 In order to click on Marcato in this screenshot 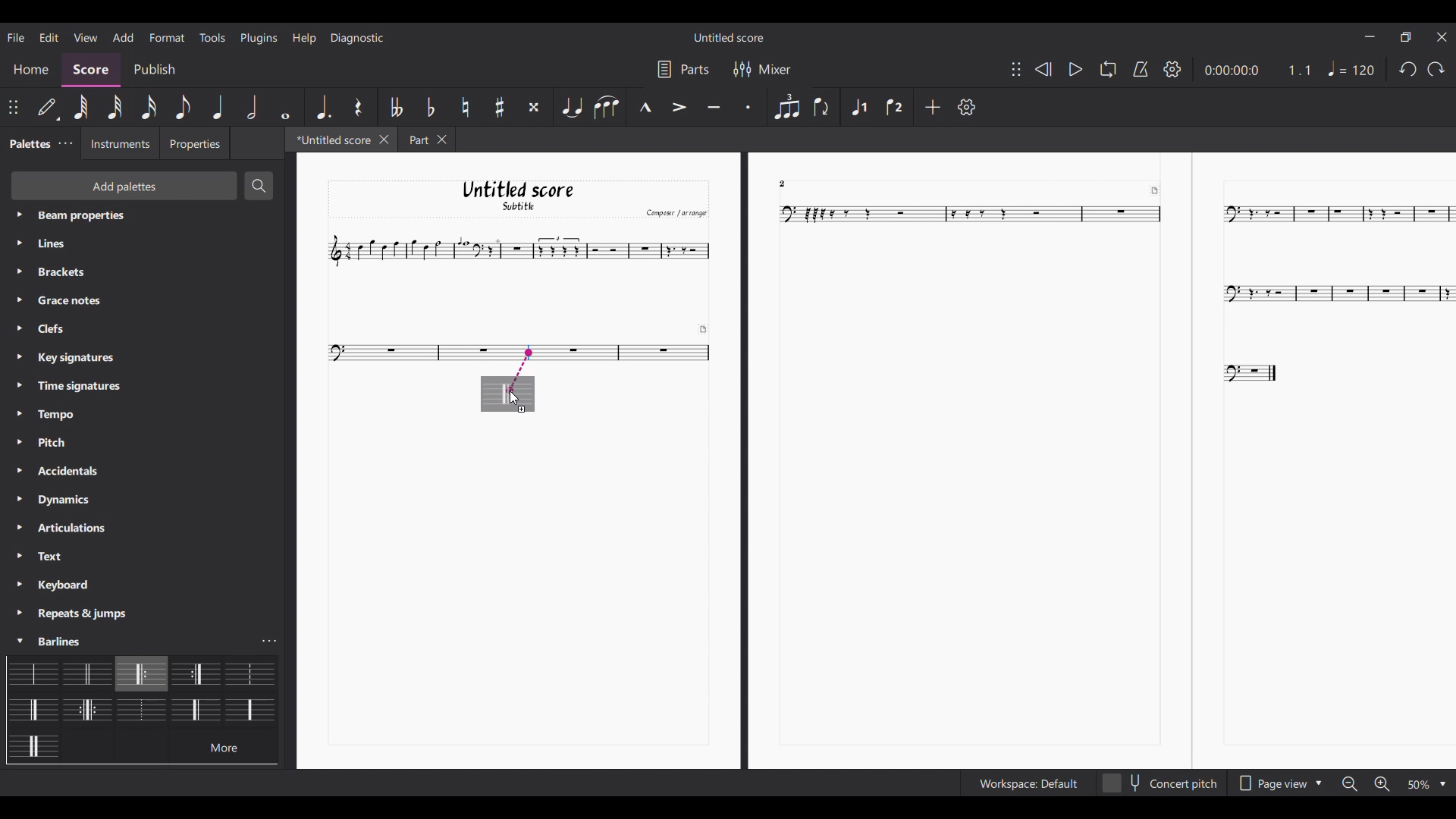, I will do `click(645, 106)`.